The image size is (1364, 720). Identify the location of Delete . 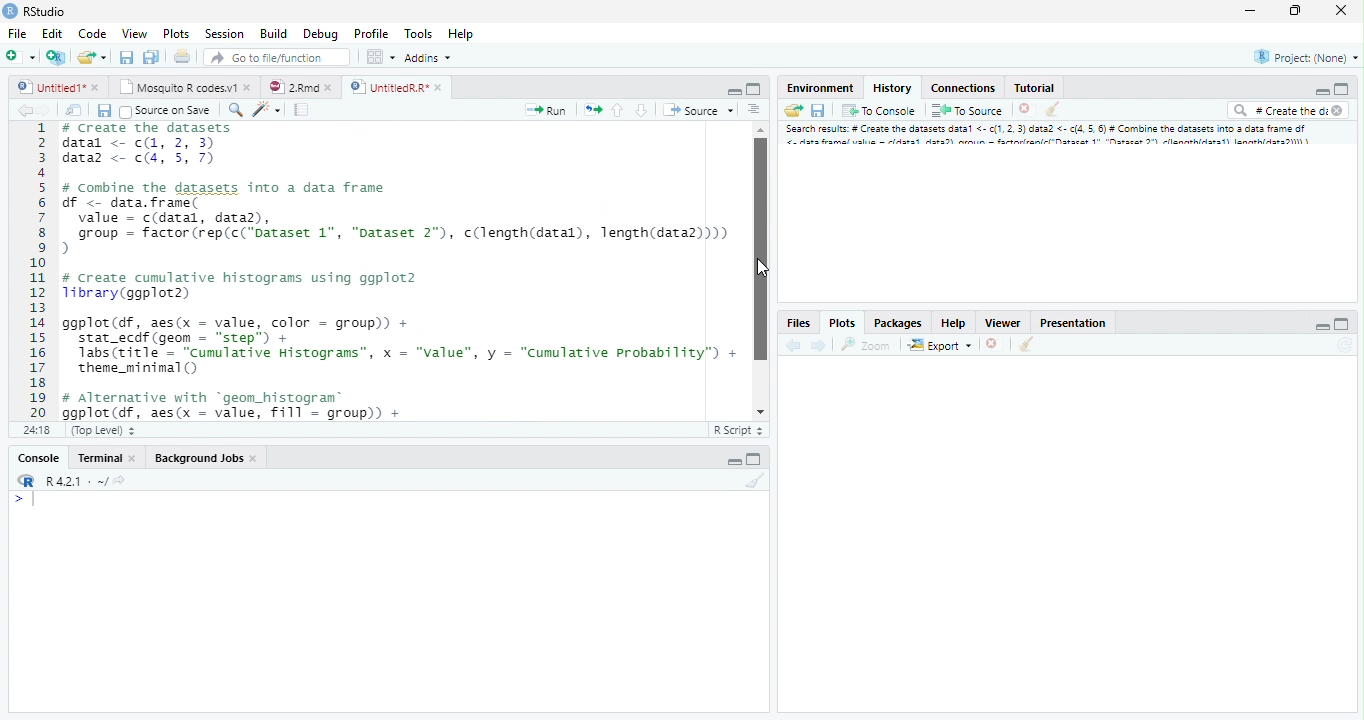
(992, 342).